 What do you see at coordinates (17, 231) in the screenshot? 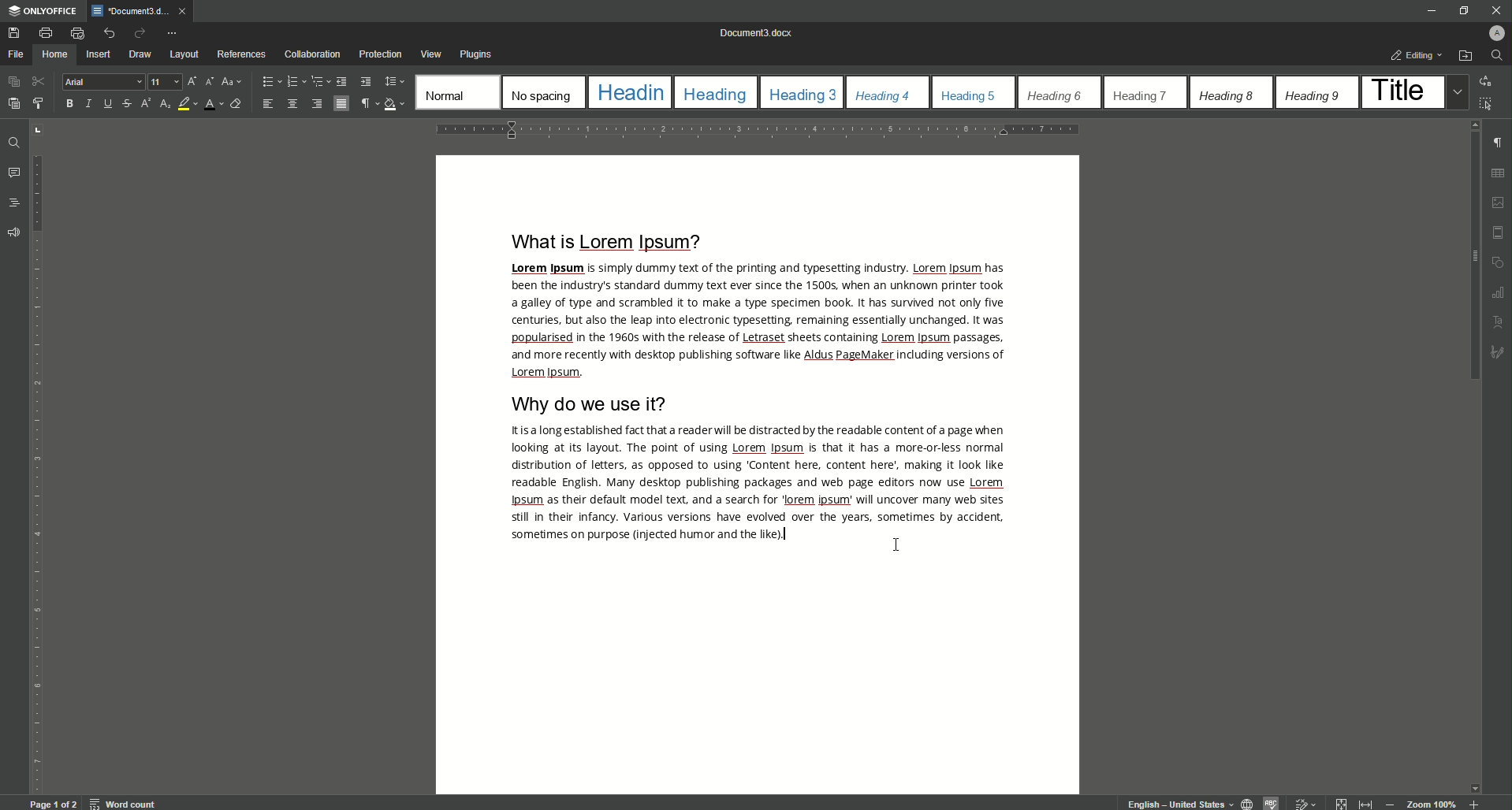
I see `Feedback` at bounding box center [17, 231].